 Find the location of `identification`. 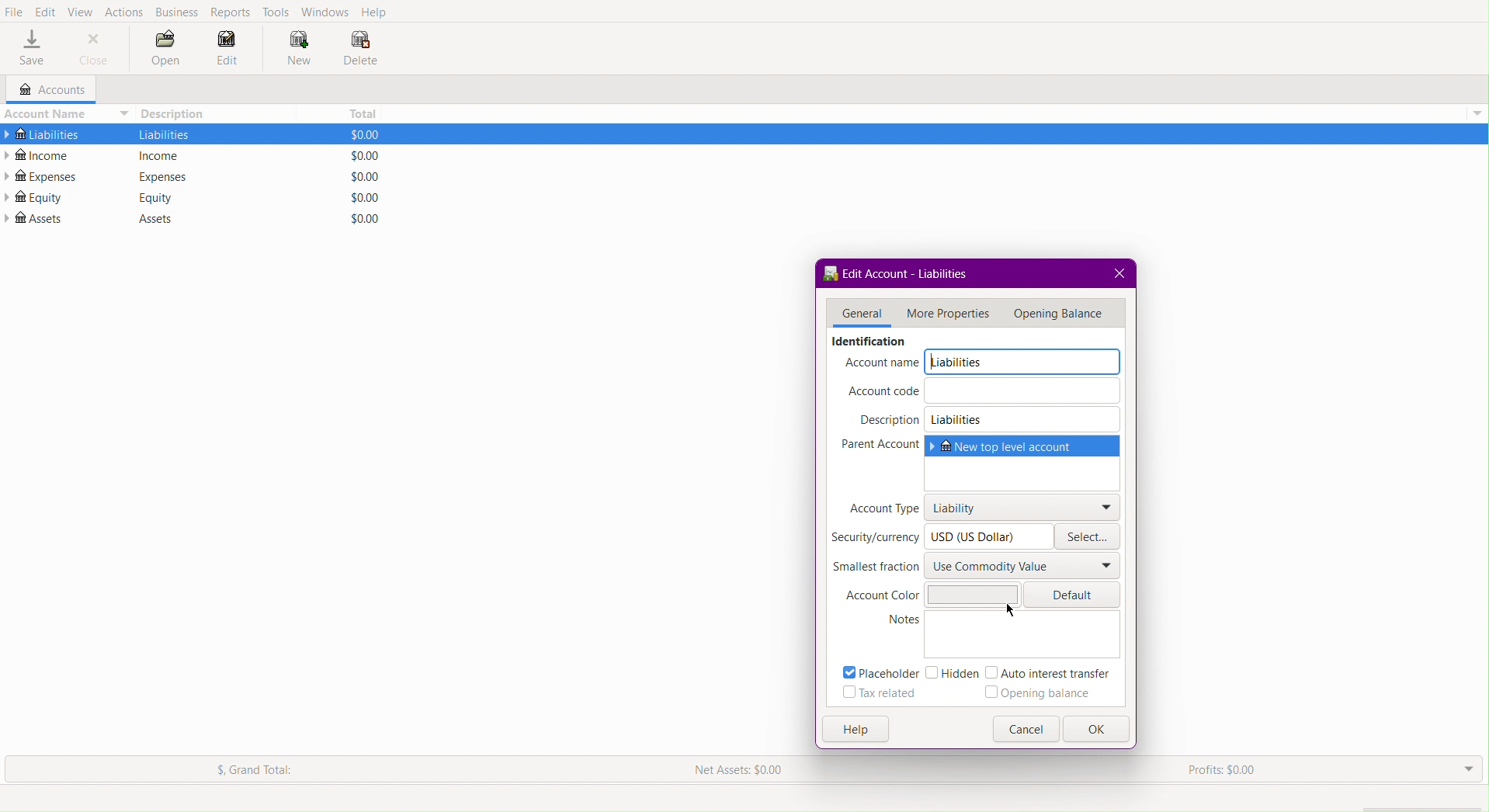

identification is located at coordinates (871, 343).